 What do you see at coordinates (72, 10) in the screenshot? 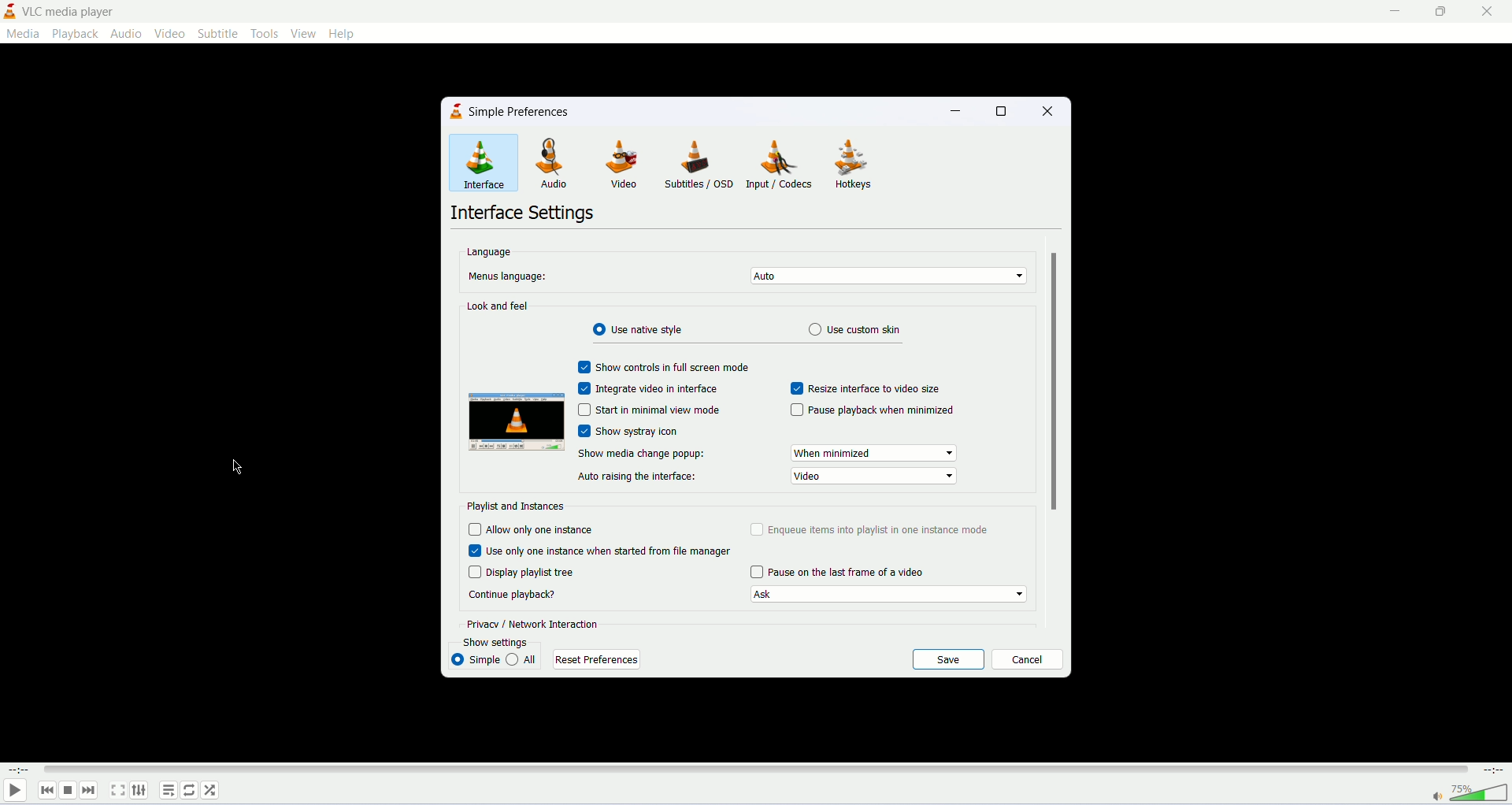
I see `vlc media player` at bounding box center [72, 10].